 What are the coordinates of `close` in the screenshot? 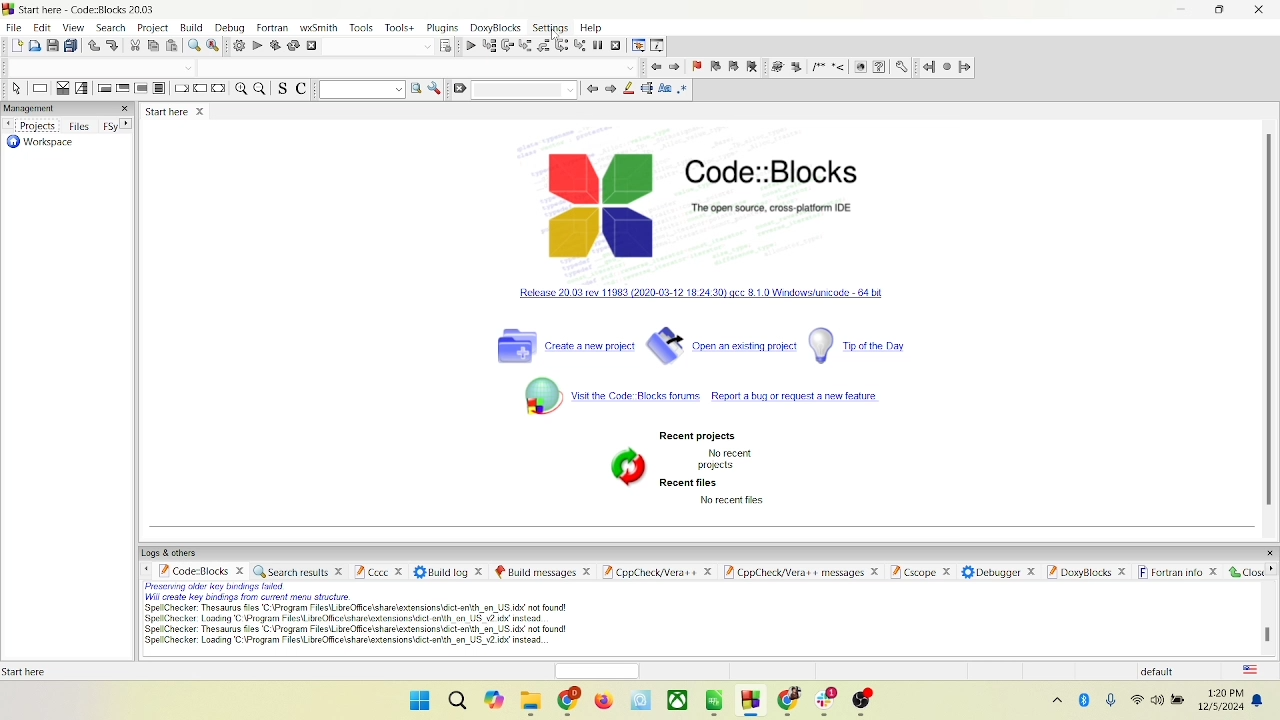 It's located at (1243, 571).